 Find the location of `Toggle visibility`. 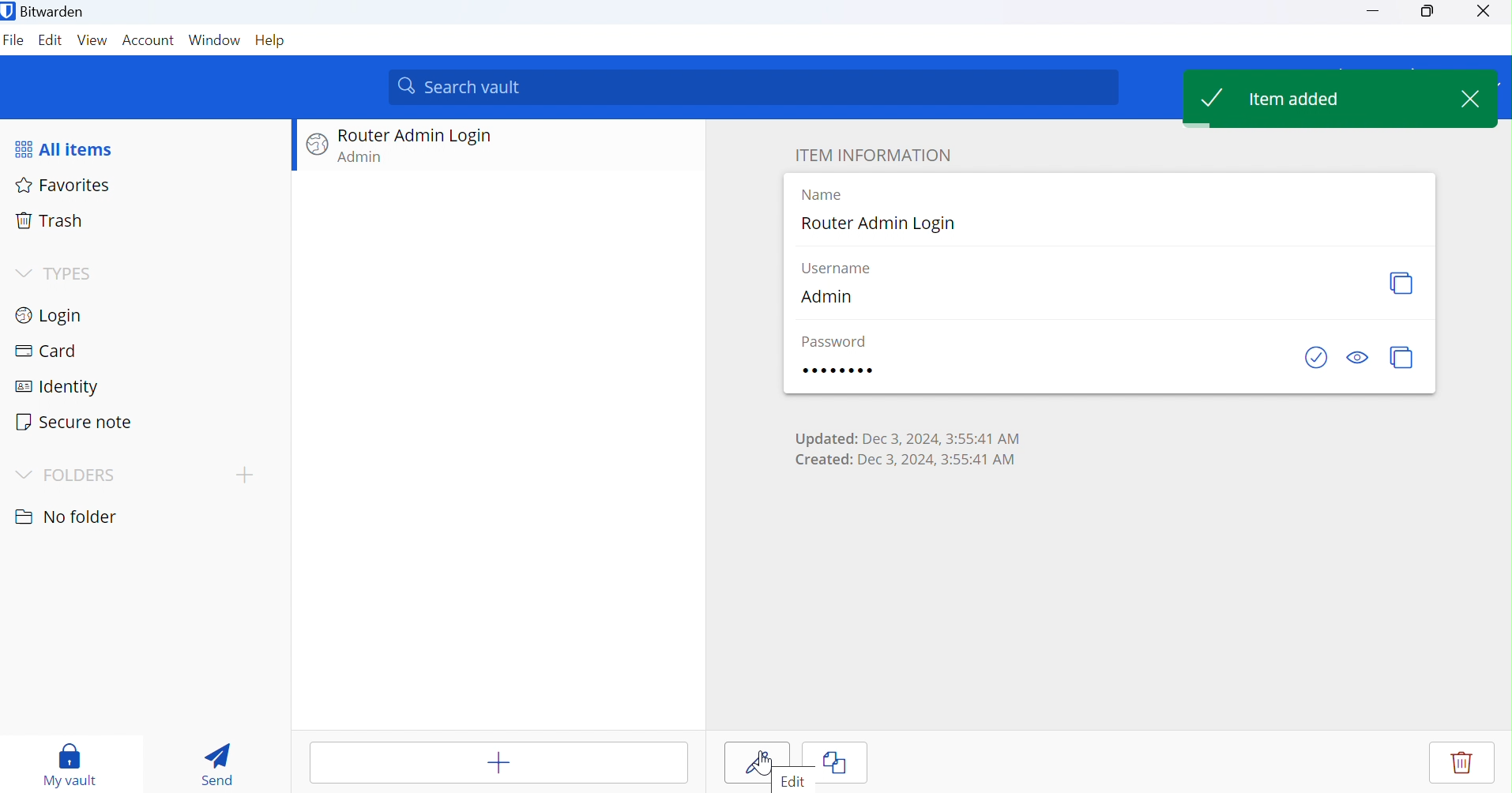

Toggle visibility is located at coordinates (1363, 355).